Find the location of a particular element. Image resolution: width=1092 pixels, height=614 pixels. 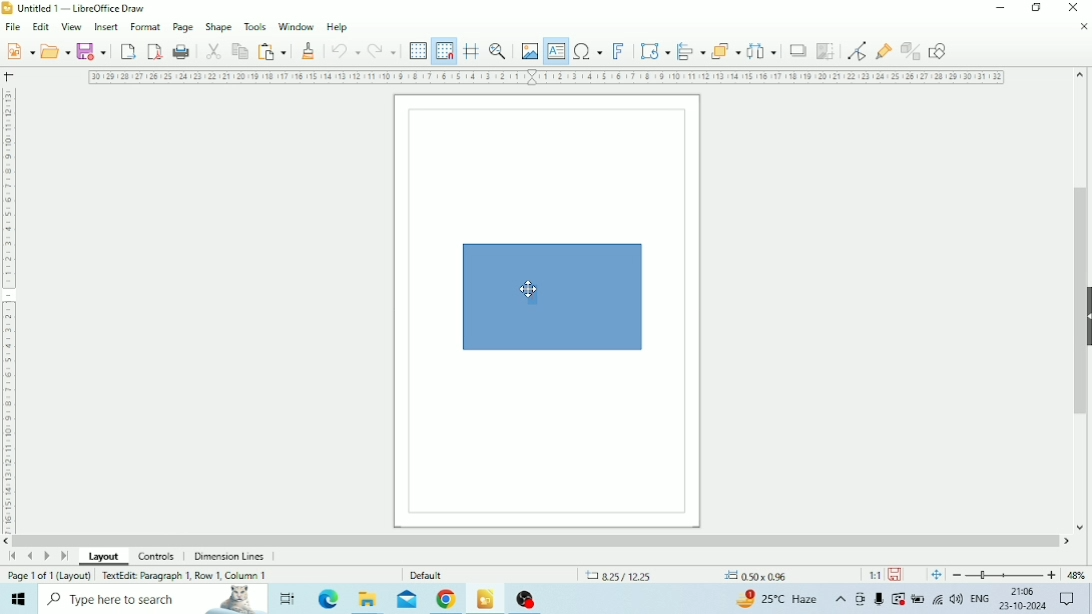

Close is located at coordinates (1074, 7).